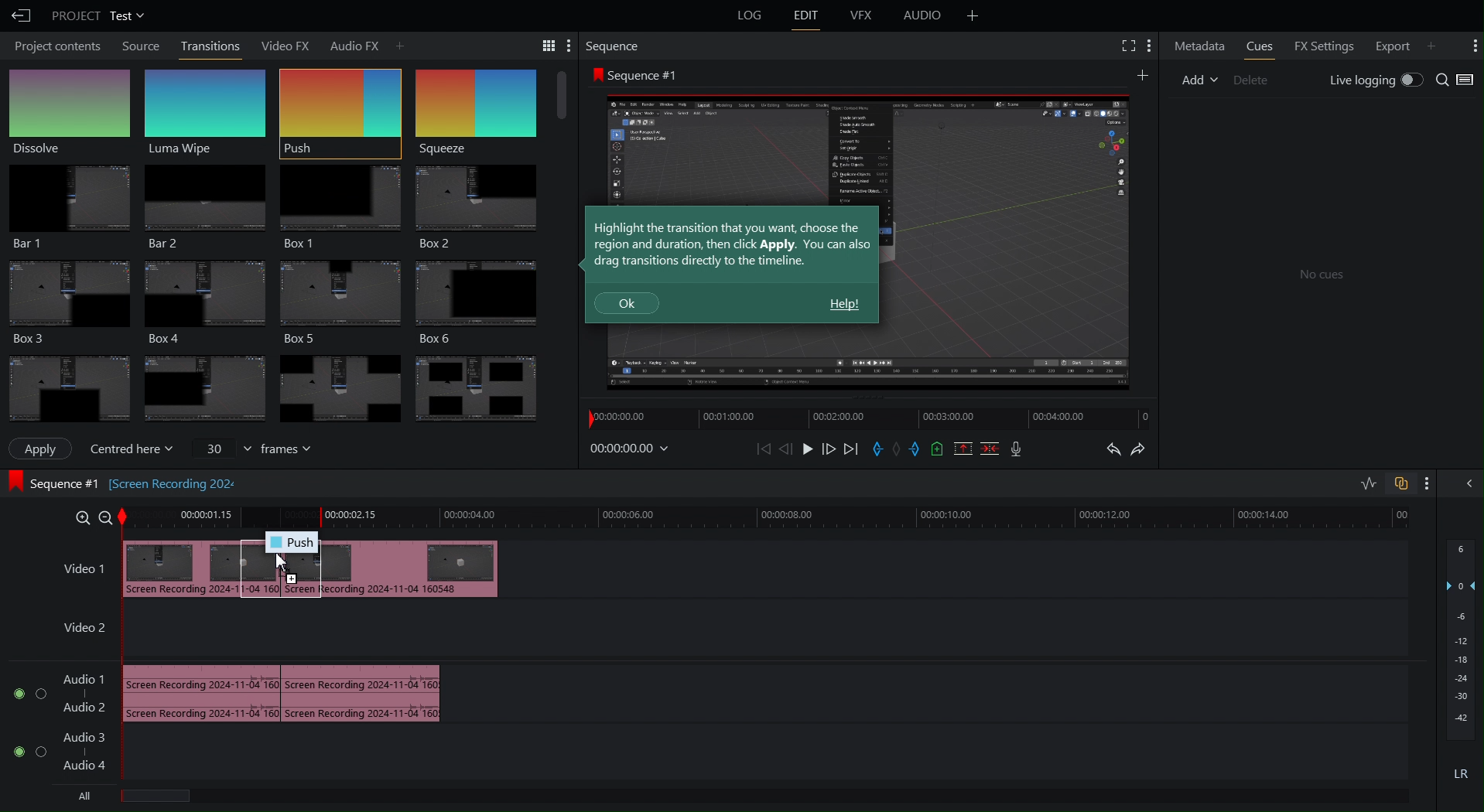 This screenshot has width=1484, height=812. I want to click on More, so click(1143, 73).